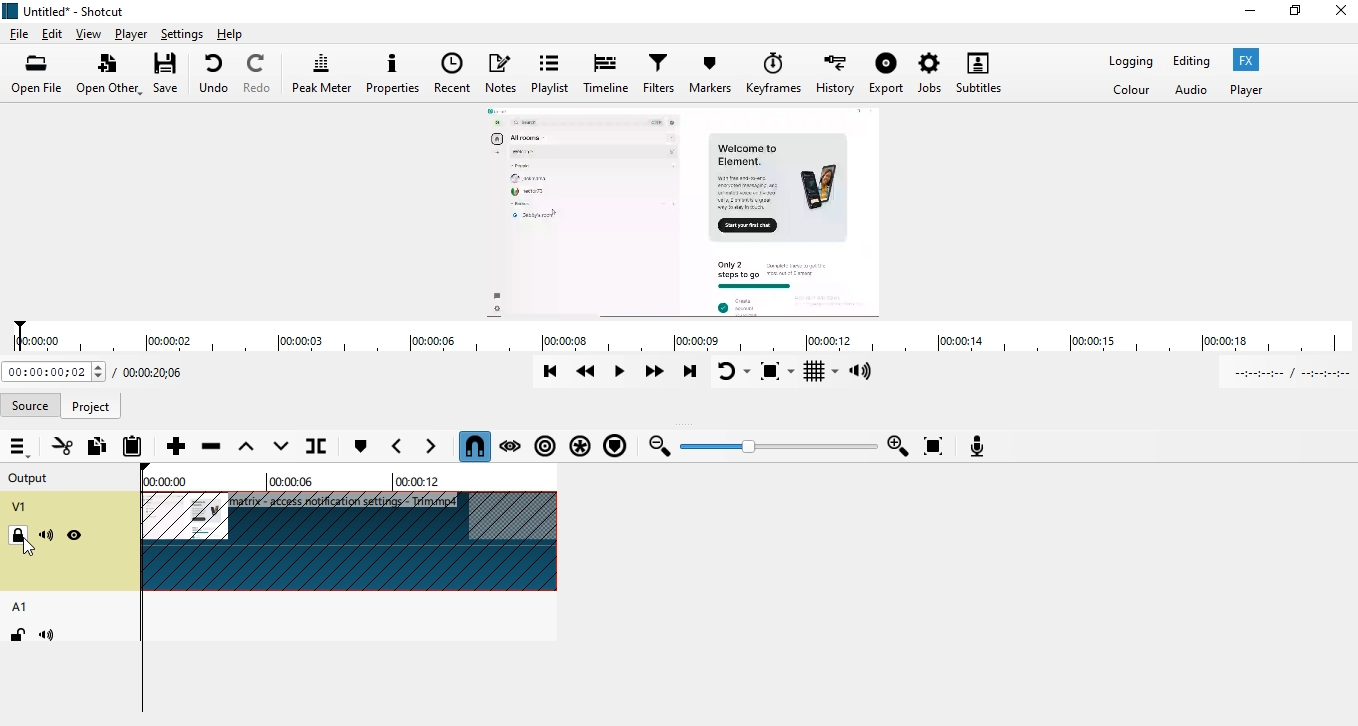 This screenshot has width=1358, height=726. What do you see at coordinates (131, 33) in the screenshot?
I see `player` at bounding box center [131, 33].